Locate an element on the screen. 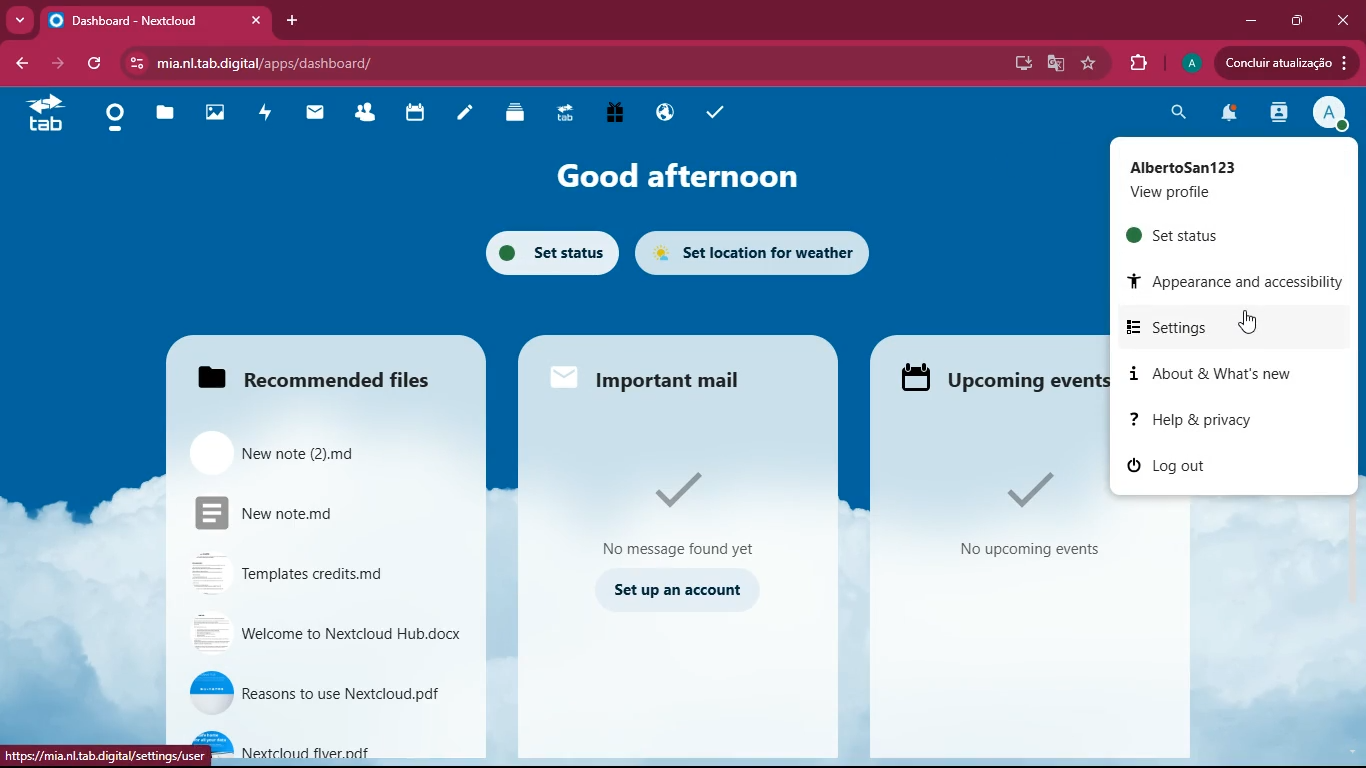 The width and height of the screenshot is (1366, 768). tasks is located at coordinates (715, 111).